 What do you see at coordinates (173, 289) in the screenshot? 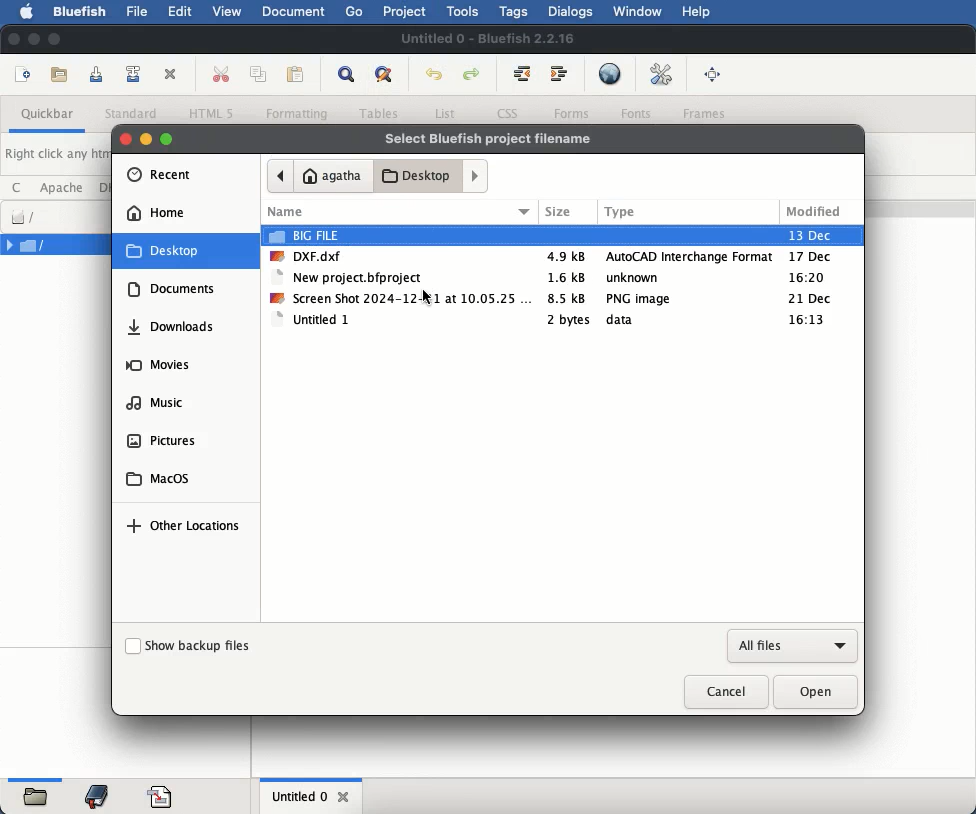
I see `documents` at bounding box center [173, 289].